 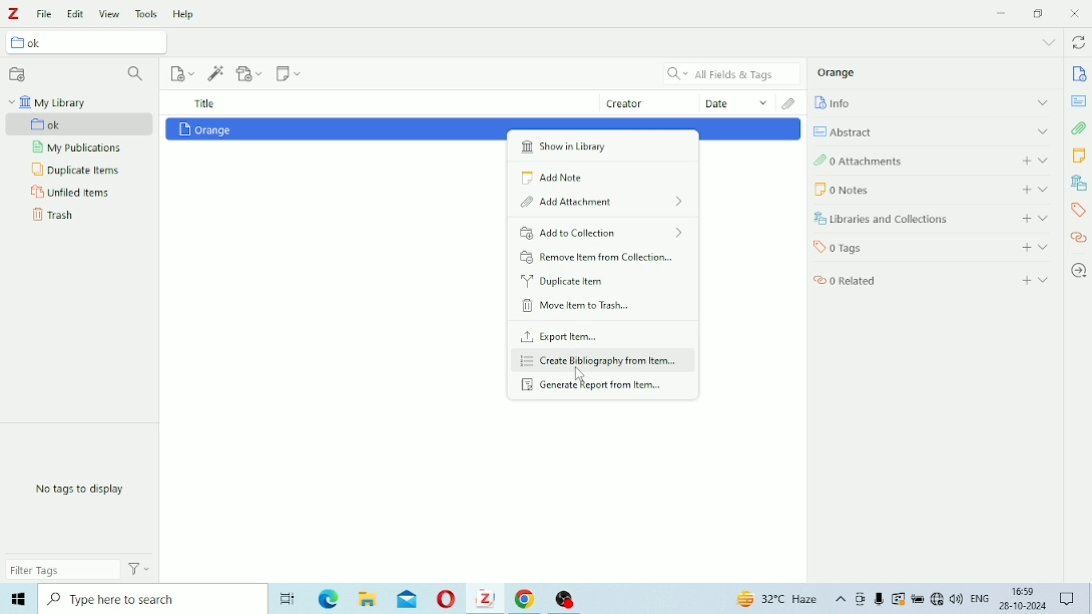 I want to click on Close, so click(x=1074, y=13).